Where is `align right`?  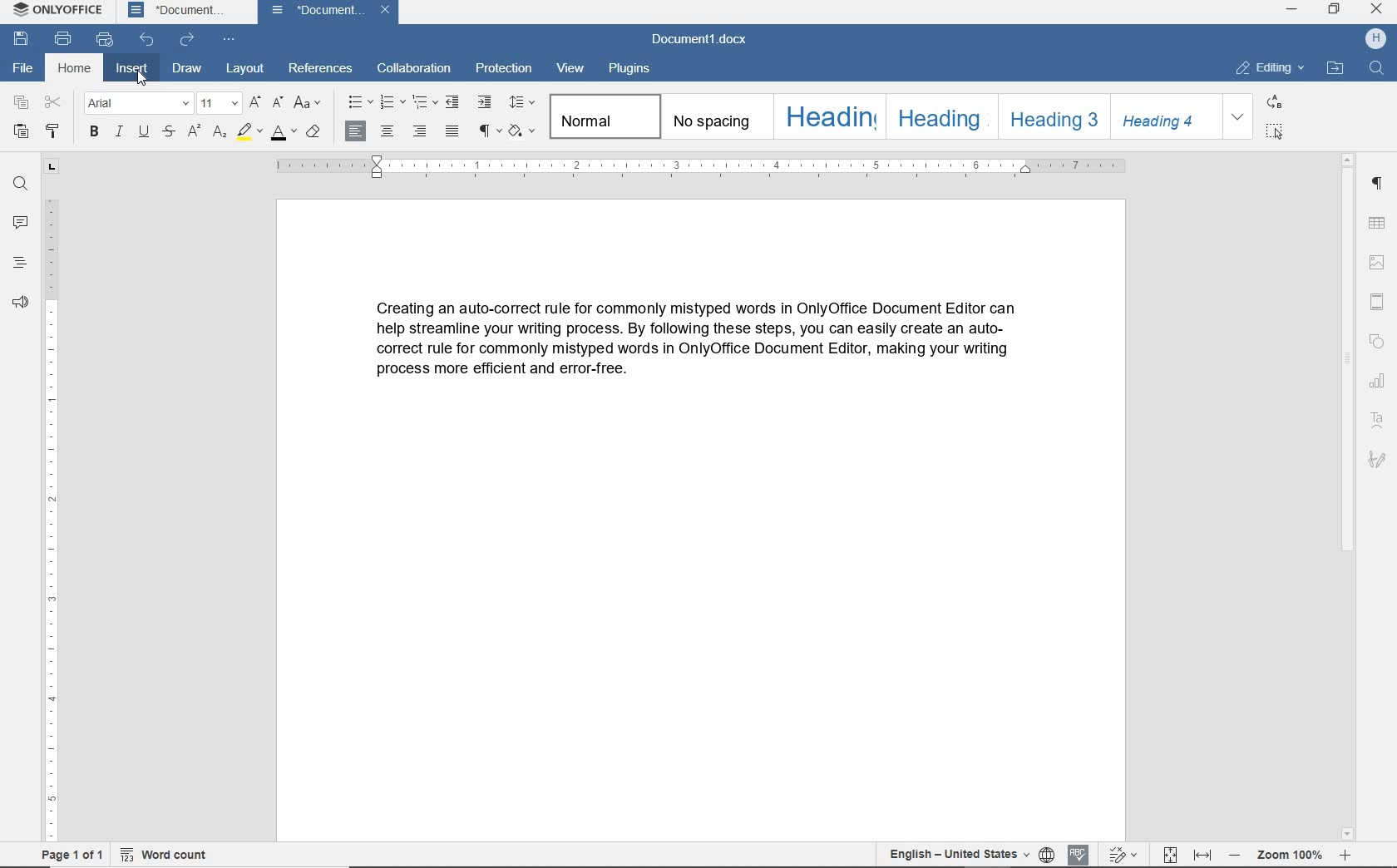 align right is located at coordinates (419, 132).